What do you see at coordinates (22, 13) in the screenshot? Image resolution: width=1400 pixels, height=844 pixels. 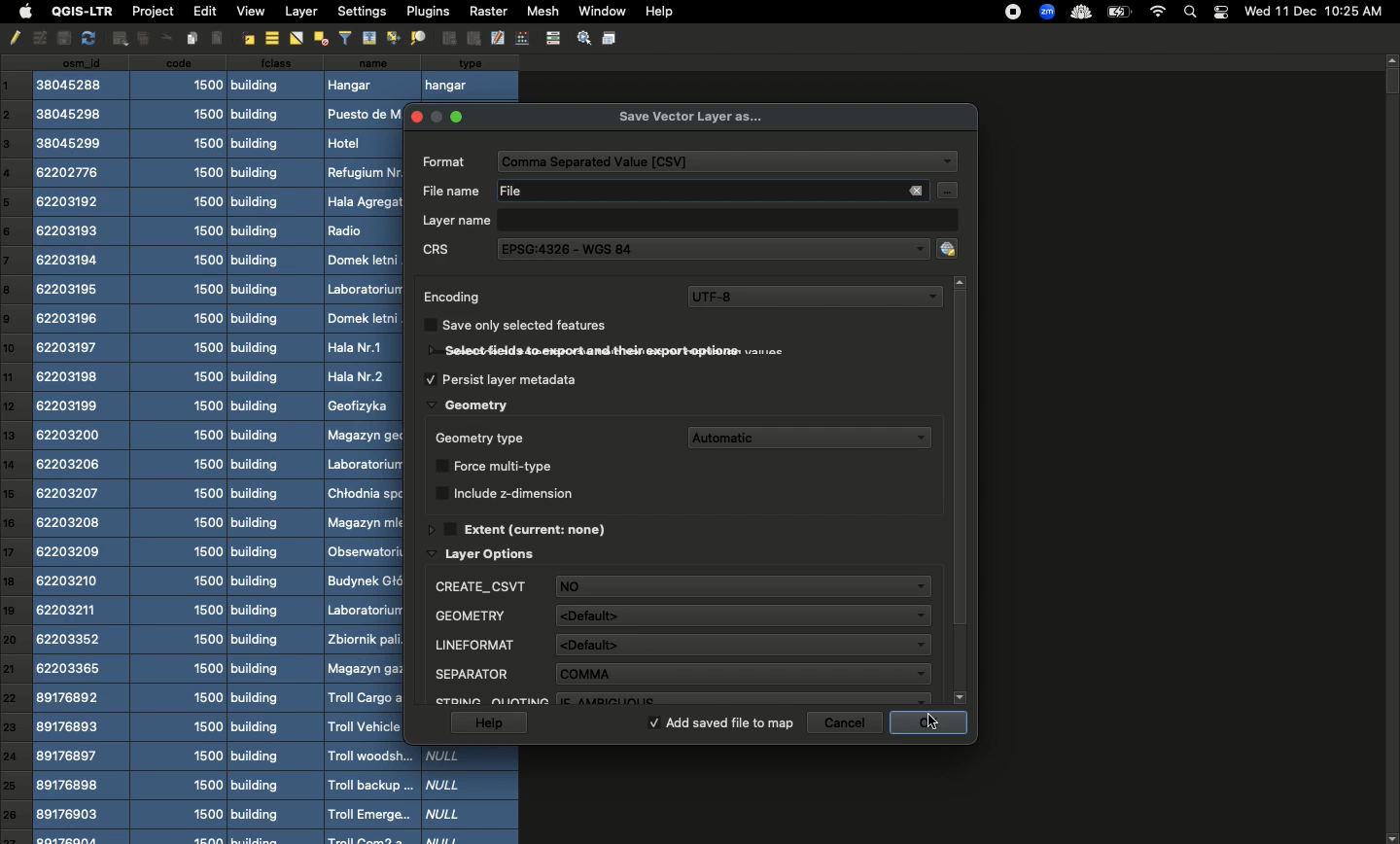 I see `Apple` at bounding box center [22, 13].